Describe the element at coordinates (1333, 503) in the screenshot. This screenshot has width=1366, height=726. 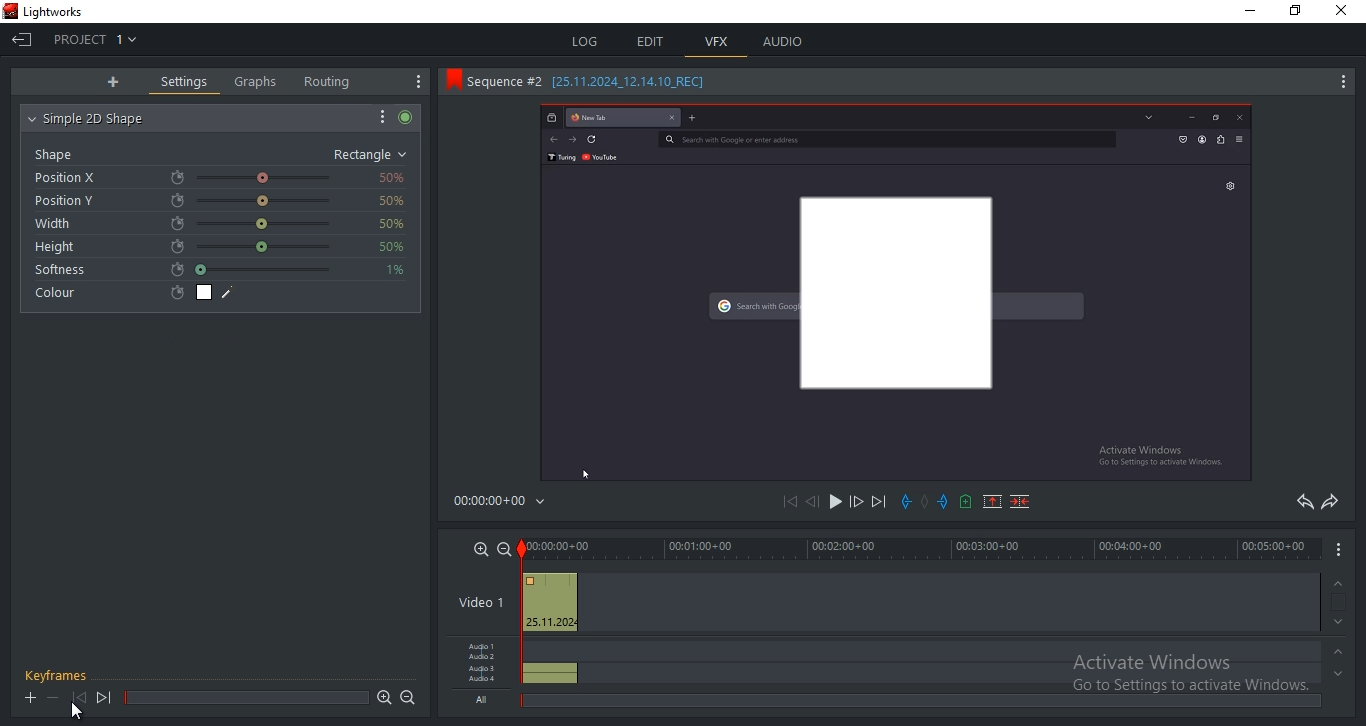
I see `redo` at that location.